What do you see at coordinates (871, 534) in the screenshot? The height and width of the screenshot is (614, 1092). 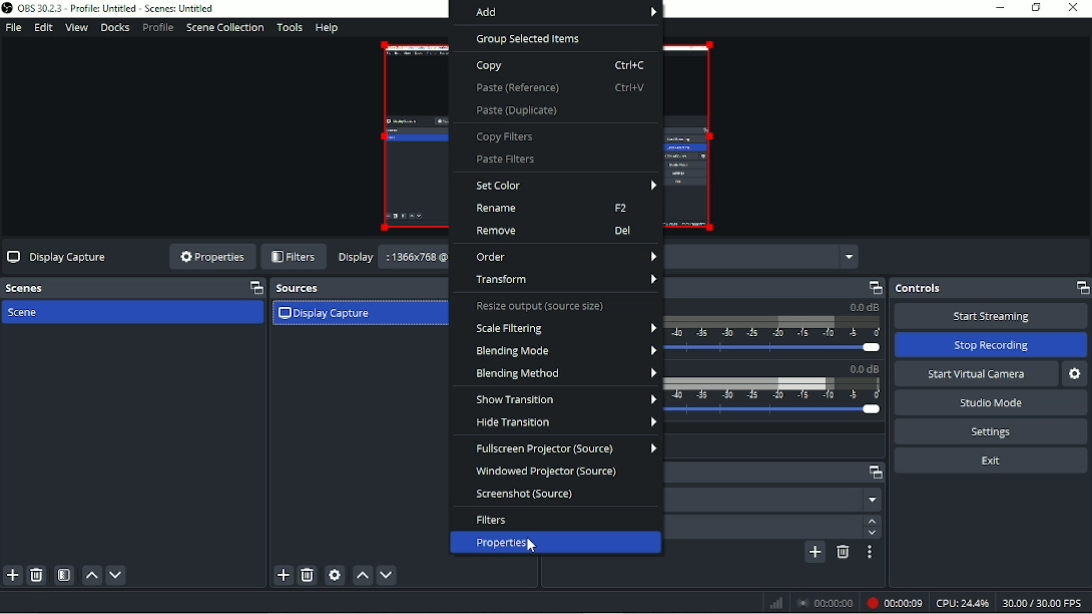 I see `Down arrow` at bounding box center [871, 534].